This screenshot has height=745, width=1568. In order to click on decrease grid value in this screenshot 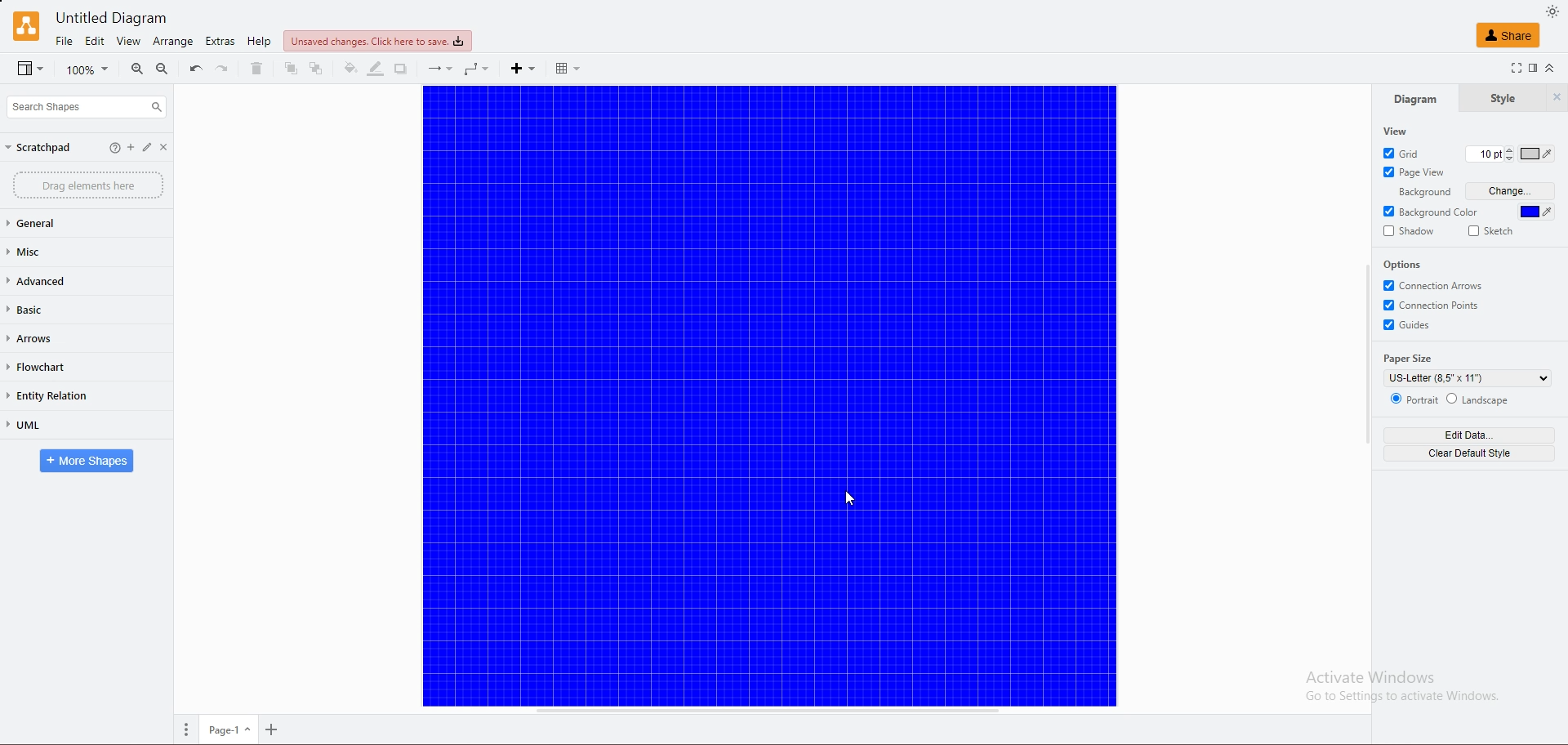, I will do `click(1508, 161)`.